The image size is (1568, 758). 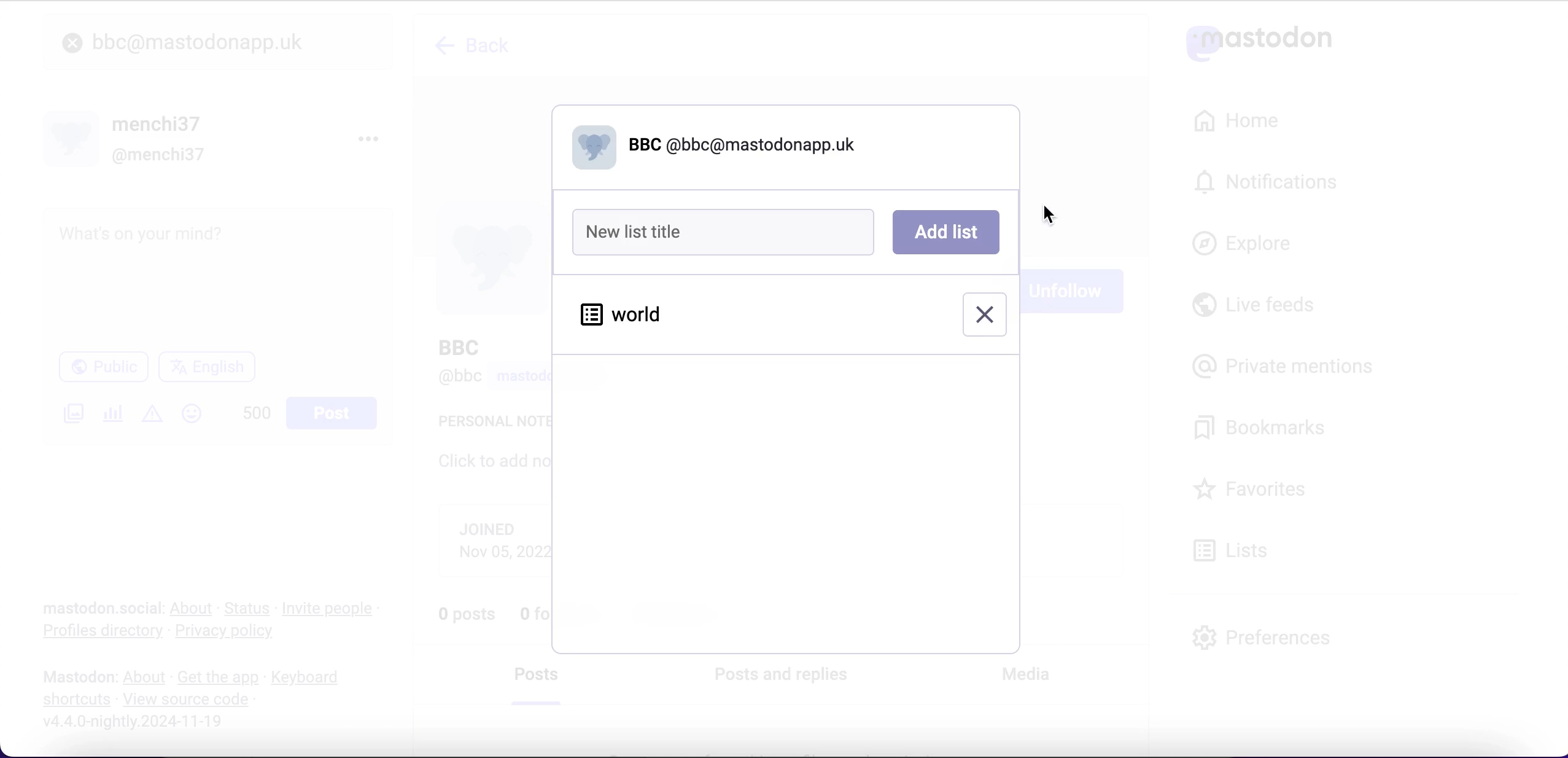 I want to click on mastodon, so click(x=79, y=677).